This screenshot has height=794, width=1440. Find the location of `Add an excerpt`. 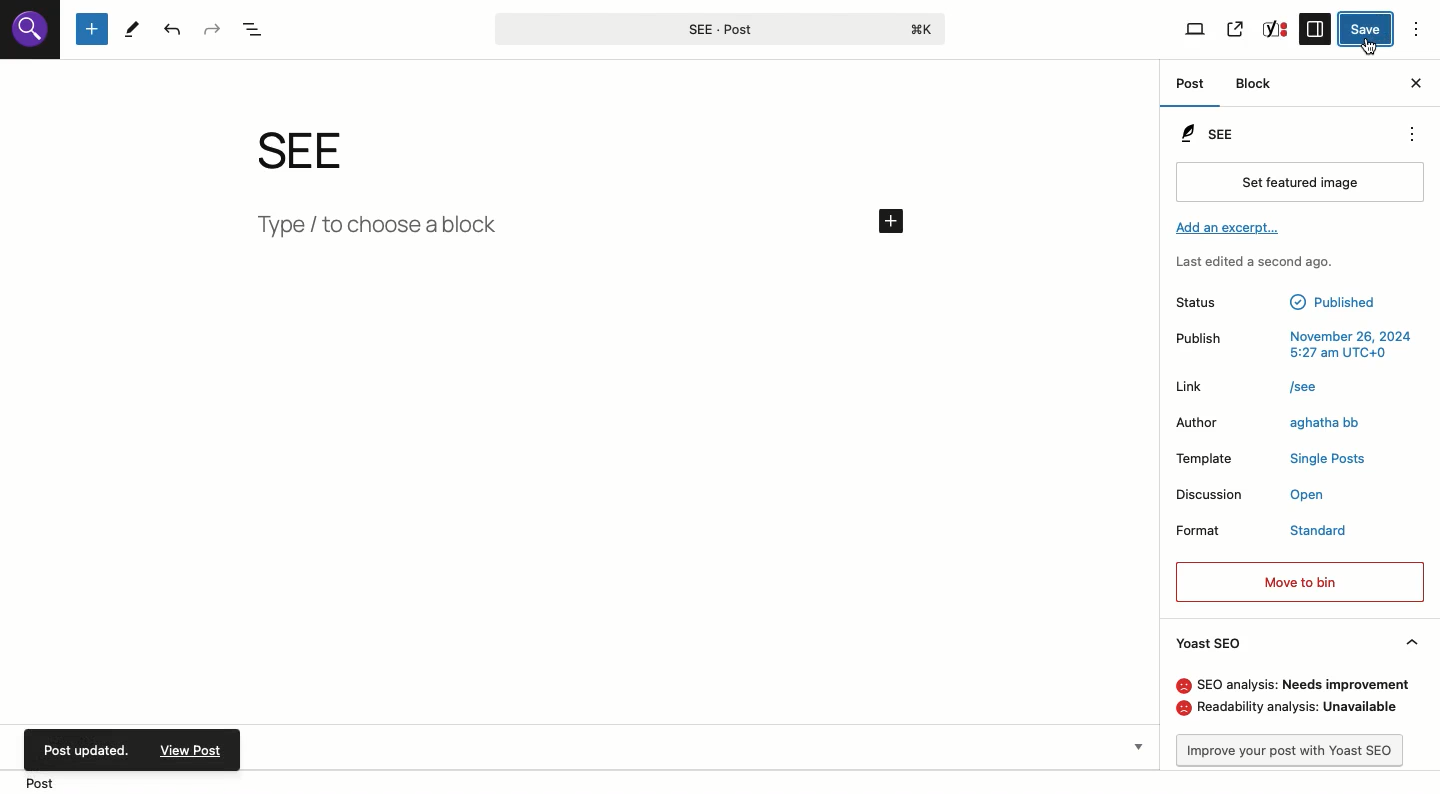

Add an excerpt is located at coordinates (1231, 228).